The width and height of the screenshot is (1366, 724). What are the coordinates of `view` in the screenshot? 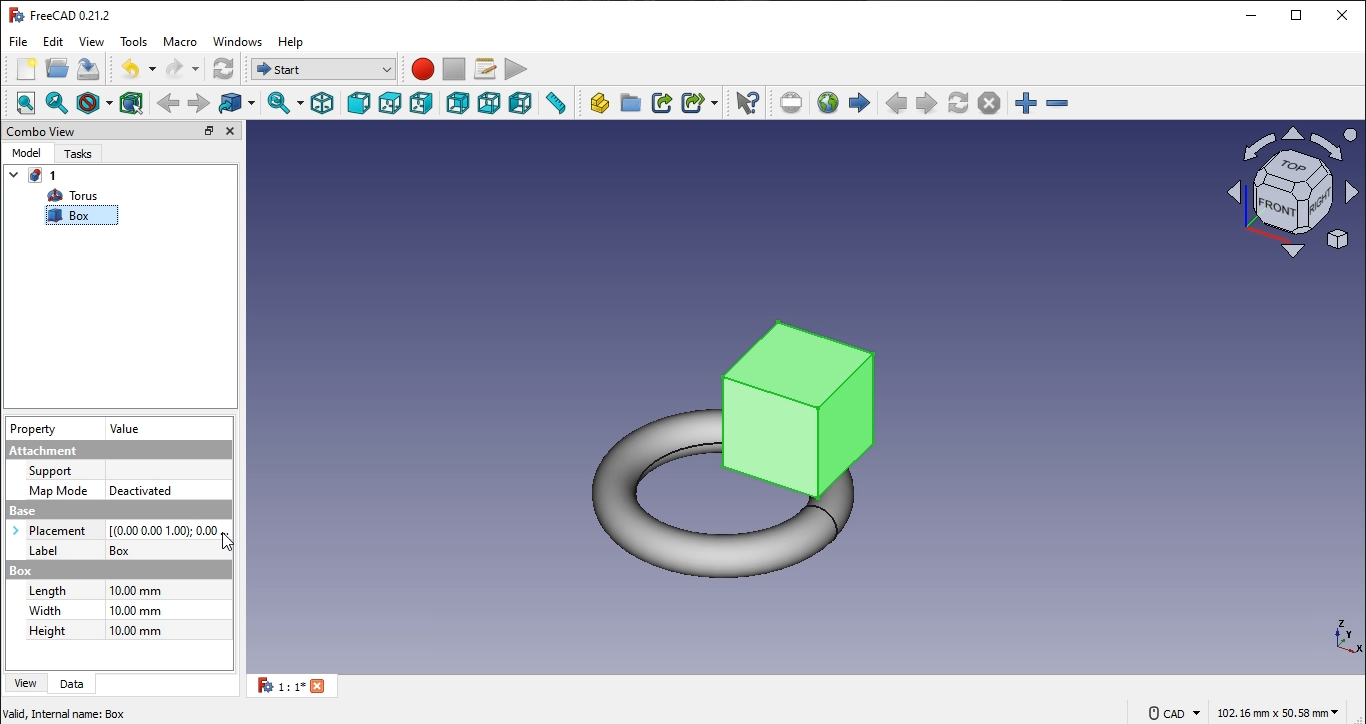 It's located at (92, 42).